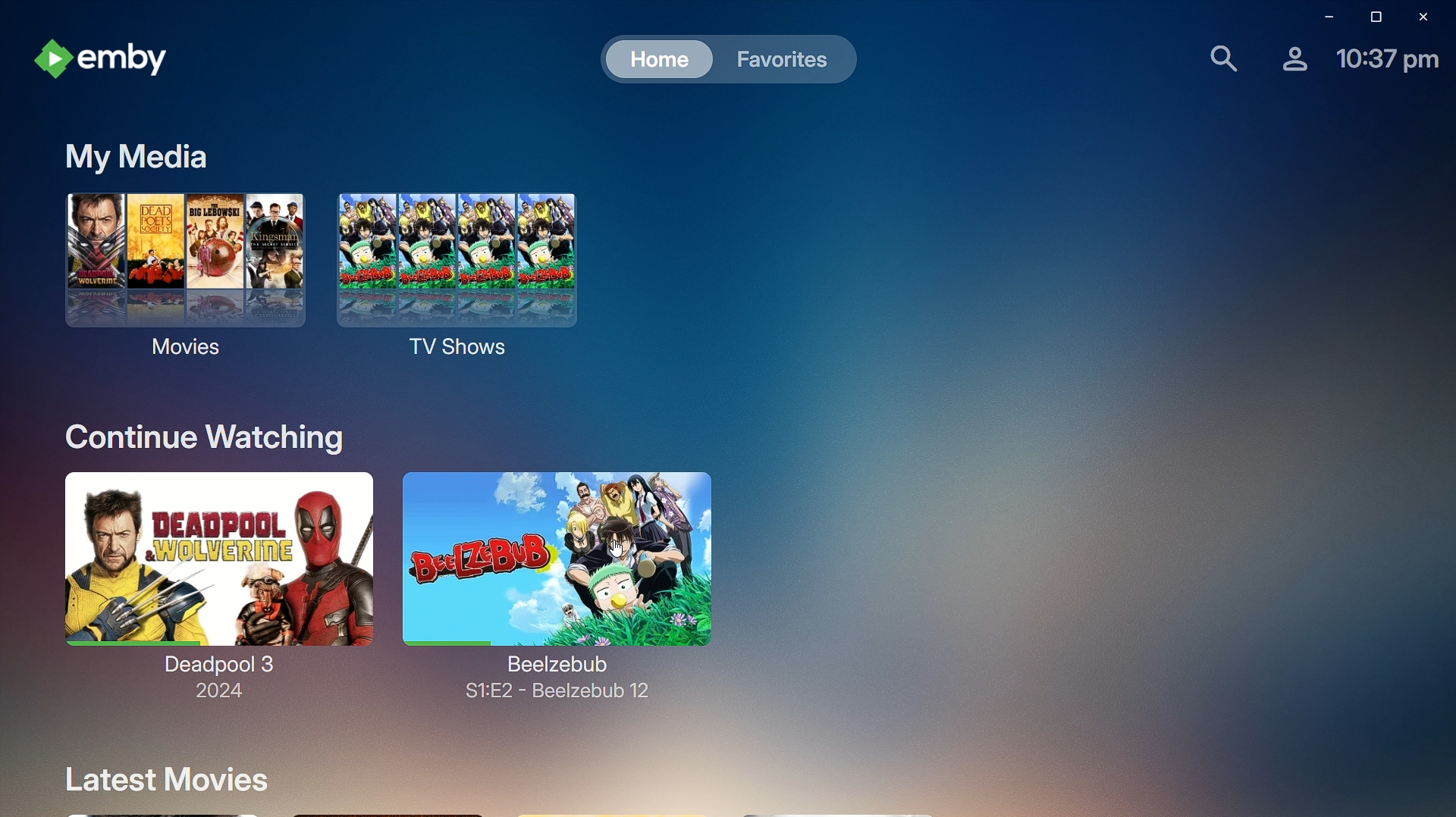 The width and height of the screenshot is (1456, 817). Describe the element at coordinates (1385, 64) in the screenshot. I see `Time` at that location.